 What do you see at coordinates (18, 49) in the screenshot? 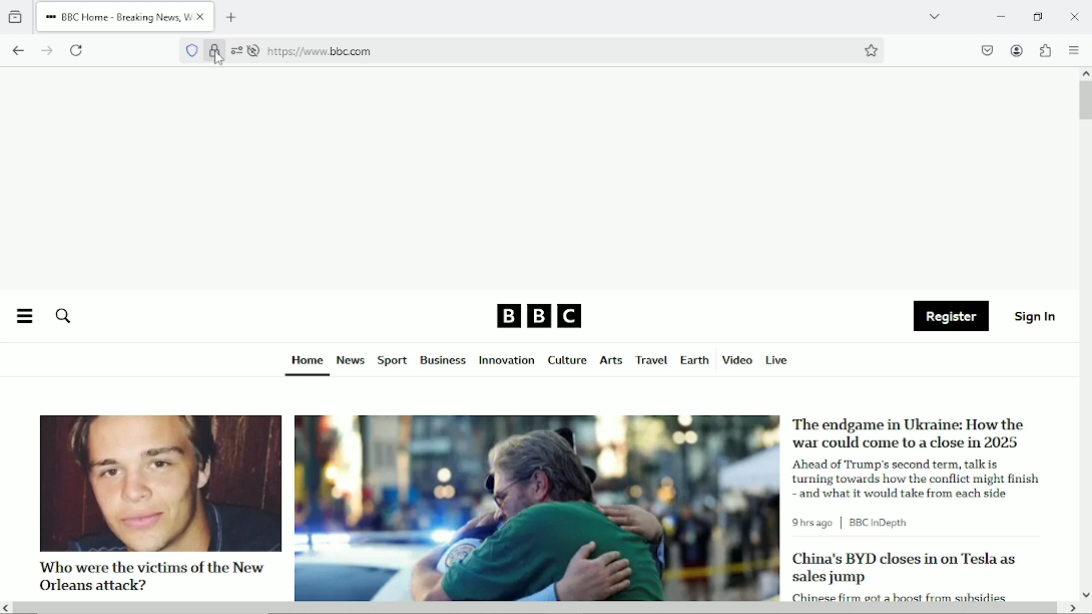
I see `go back` at bounding box center [18, 49].